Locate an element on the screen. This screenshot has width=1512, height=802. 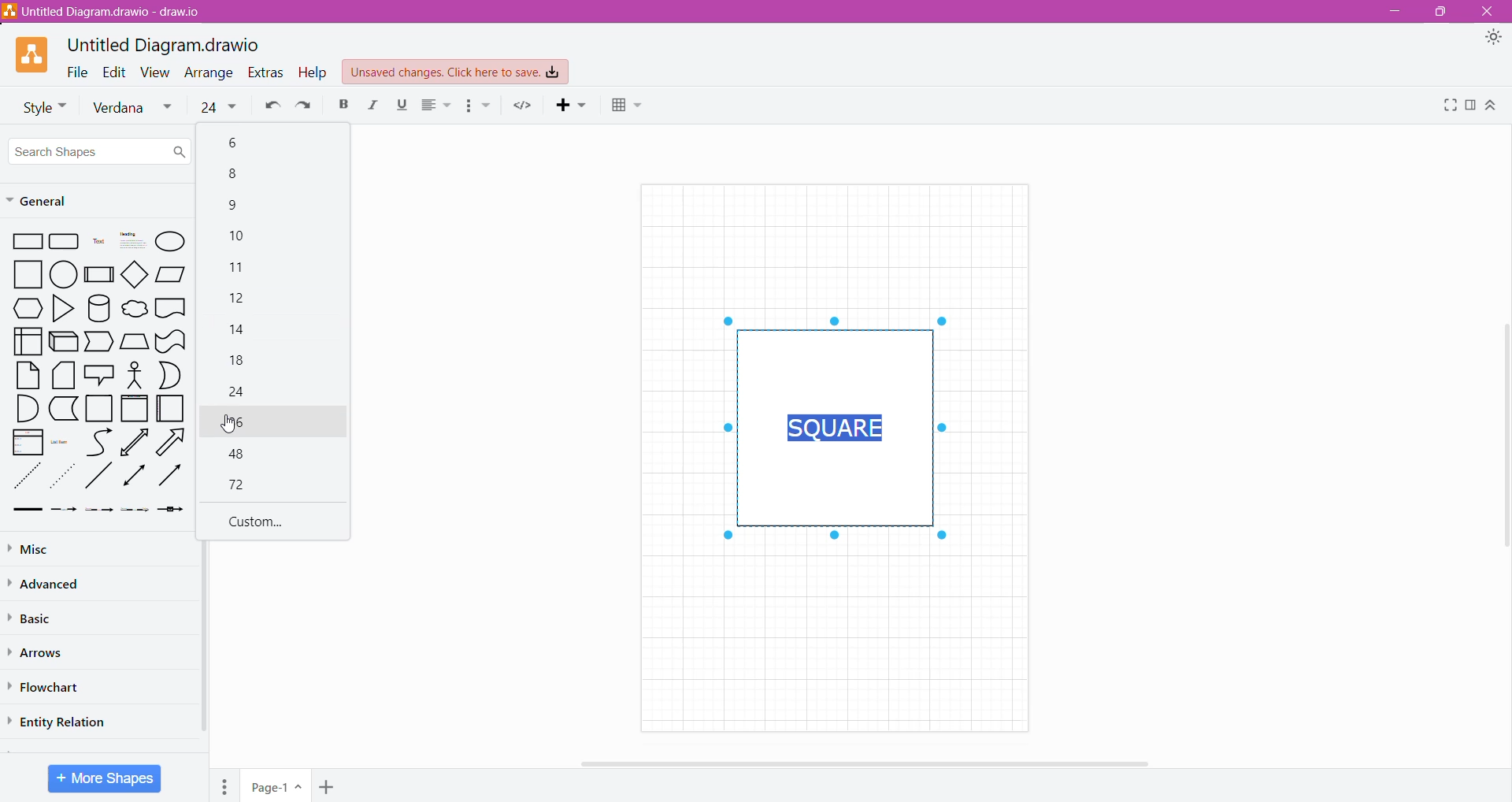
6 is located at coordinates (236, 143).